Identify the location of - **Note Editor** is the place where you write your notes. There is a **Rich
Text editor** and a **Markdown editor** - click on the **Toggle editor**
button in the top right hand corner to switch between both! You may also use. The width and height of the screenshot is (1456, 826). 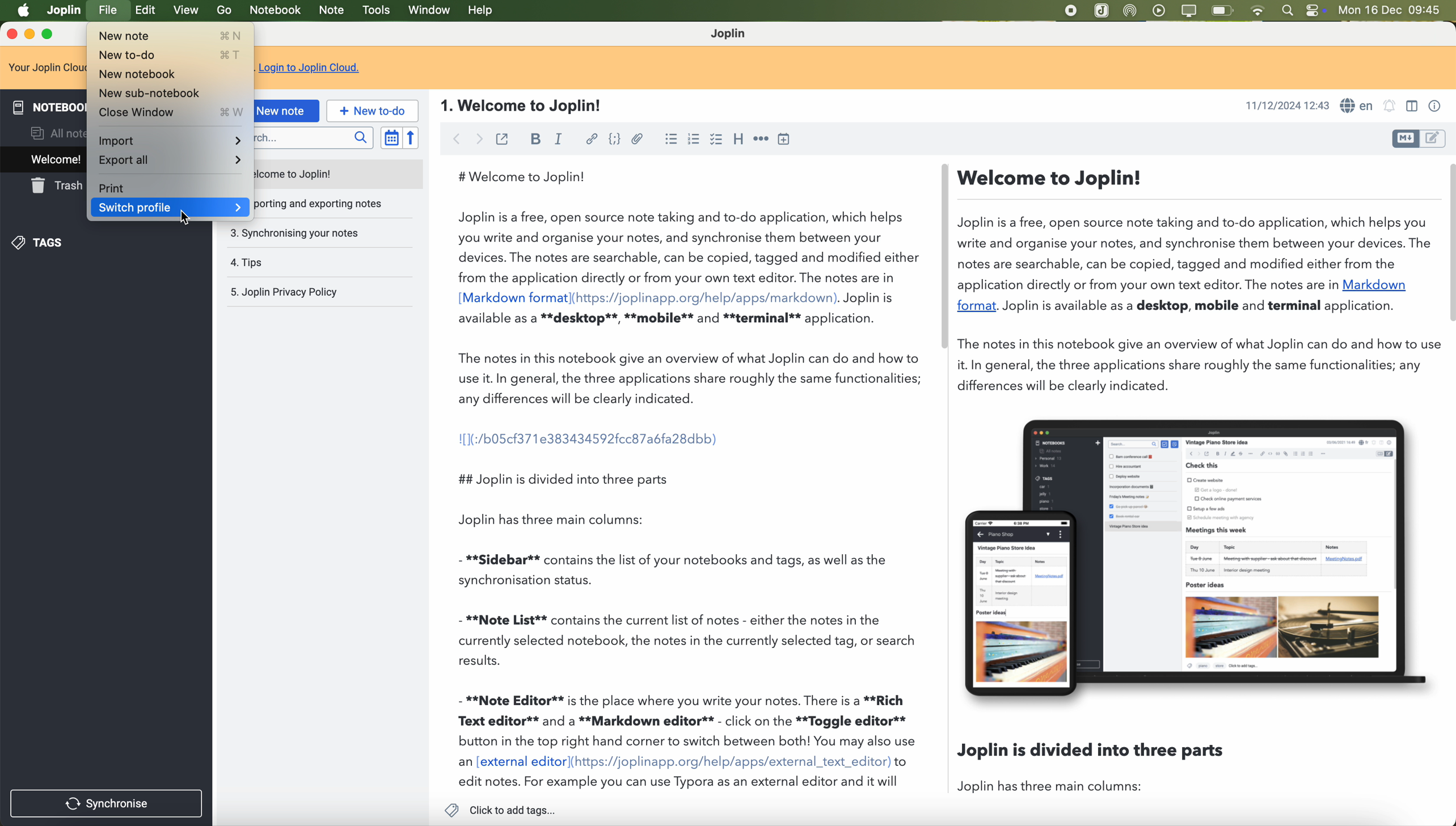
(687, 720).